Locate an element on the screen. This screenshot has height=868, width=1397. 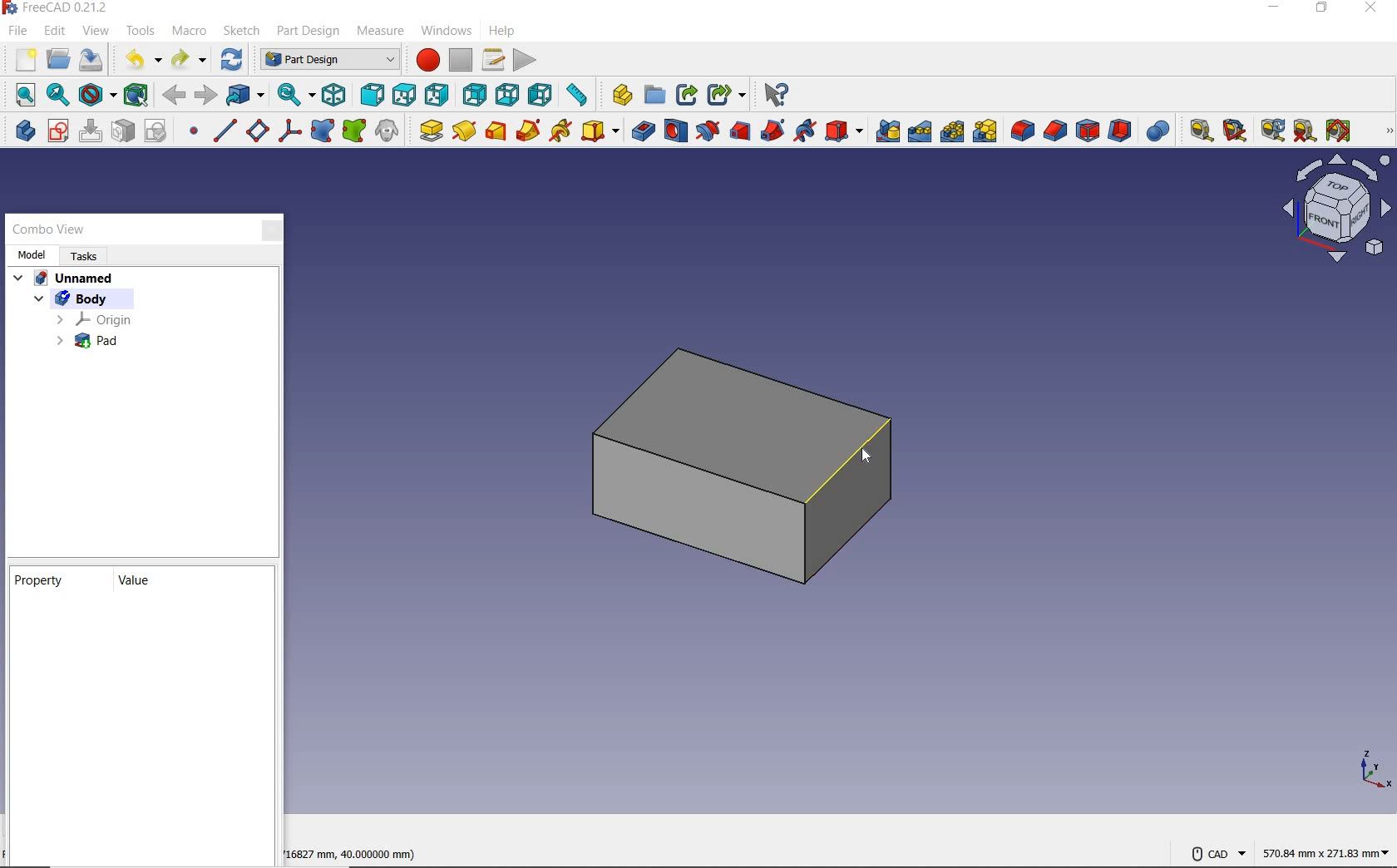
save is located at coordinates (91, 60).